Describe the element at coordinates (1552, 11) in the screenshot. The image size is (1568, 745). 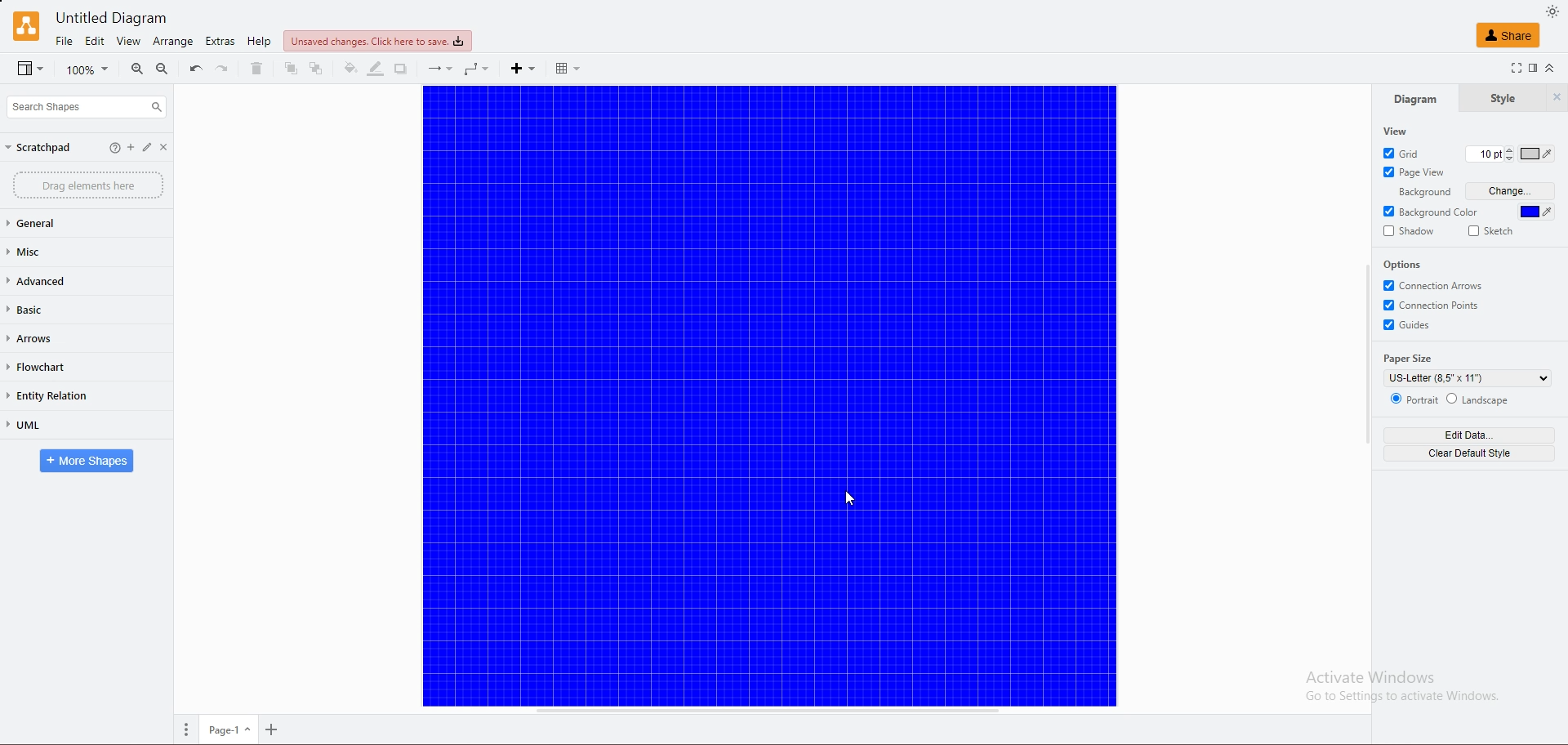
I see `dark mode` at that location.